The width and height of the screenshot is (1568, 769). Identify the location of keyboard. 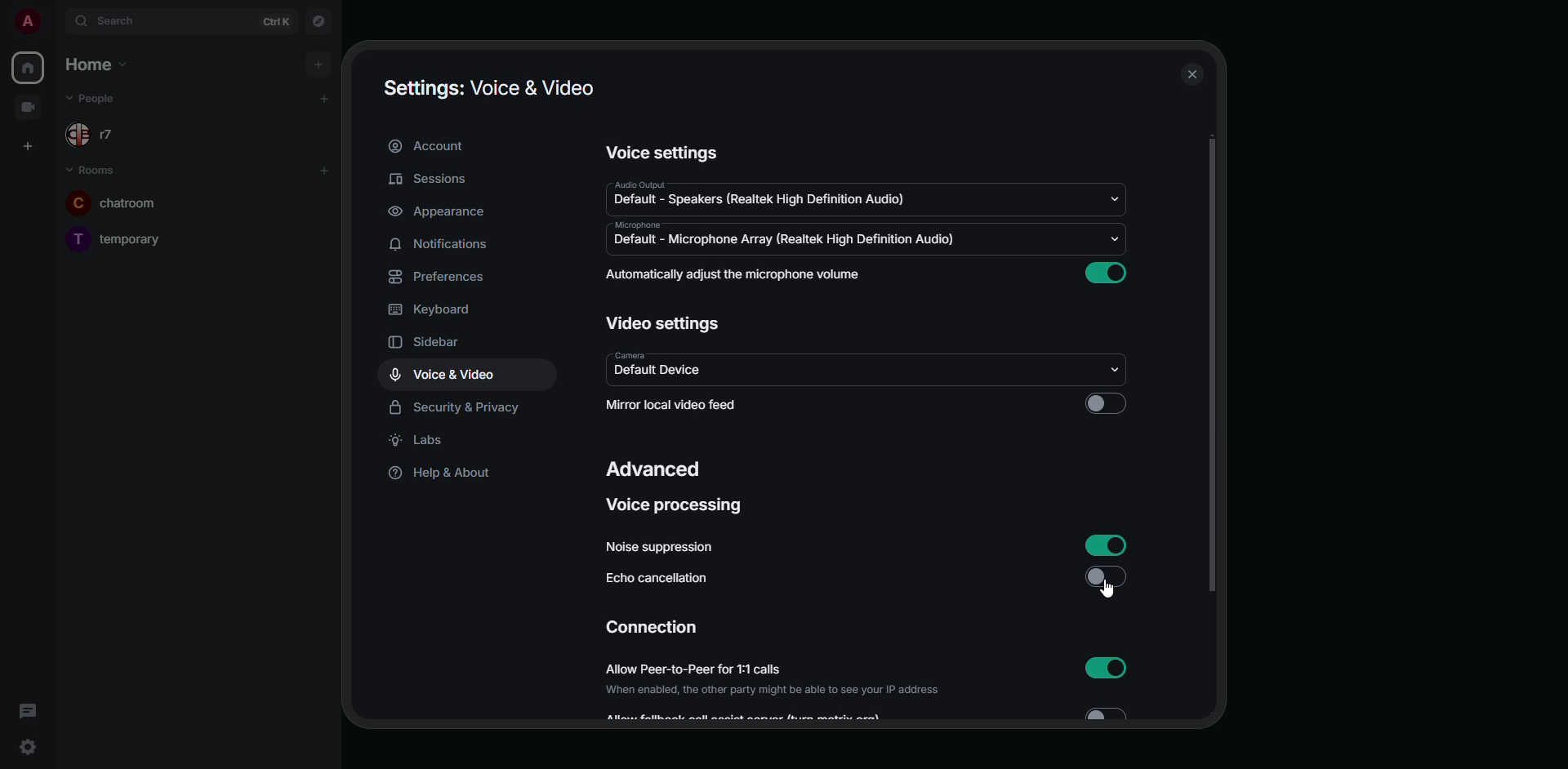
(434, 309).